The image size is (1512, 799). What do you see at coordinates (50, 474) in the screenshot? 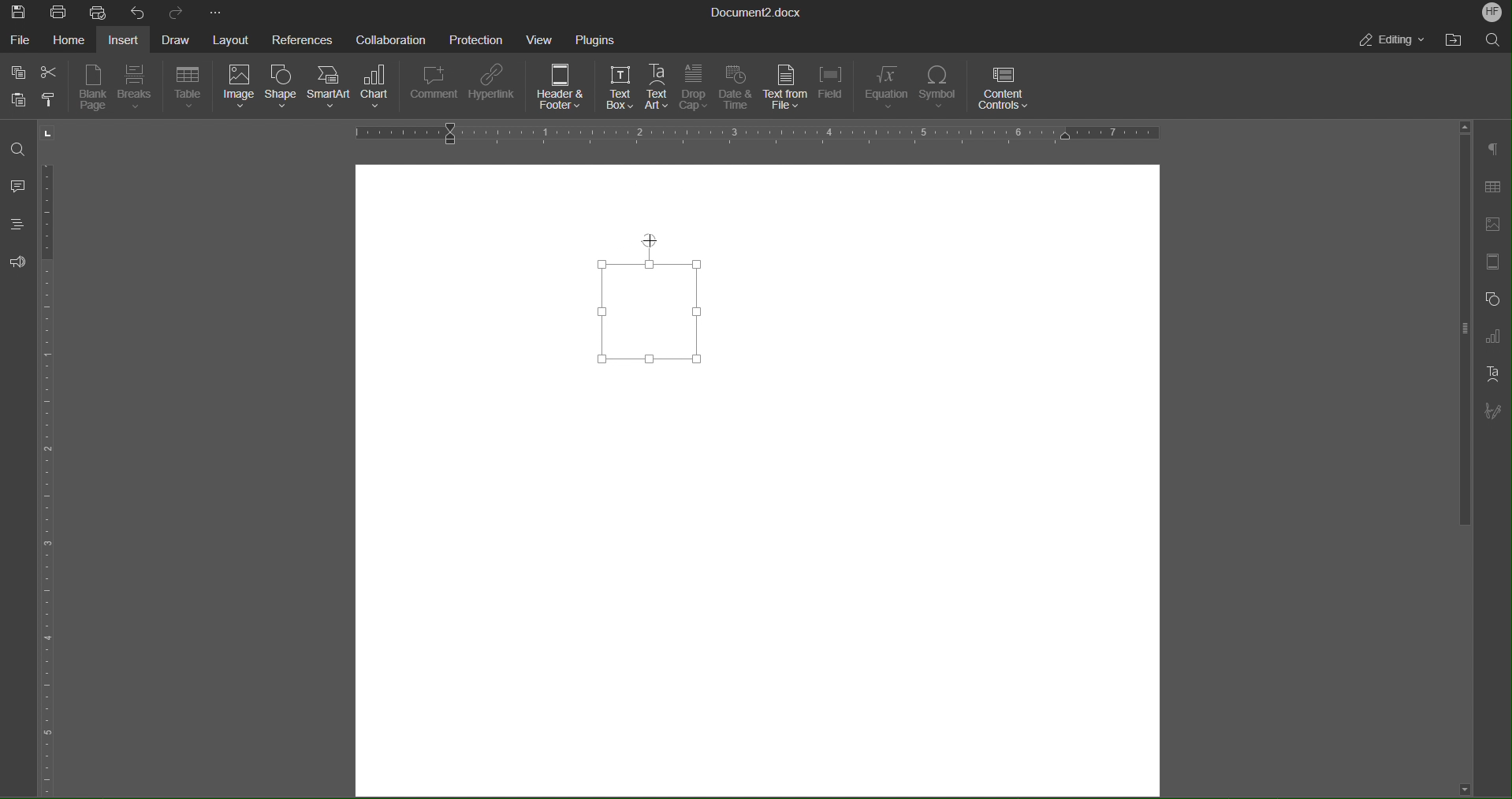
I see `Vertical Ruler` at bounding box center [50, 474].